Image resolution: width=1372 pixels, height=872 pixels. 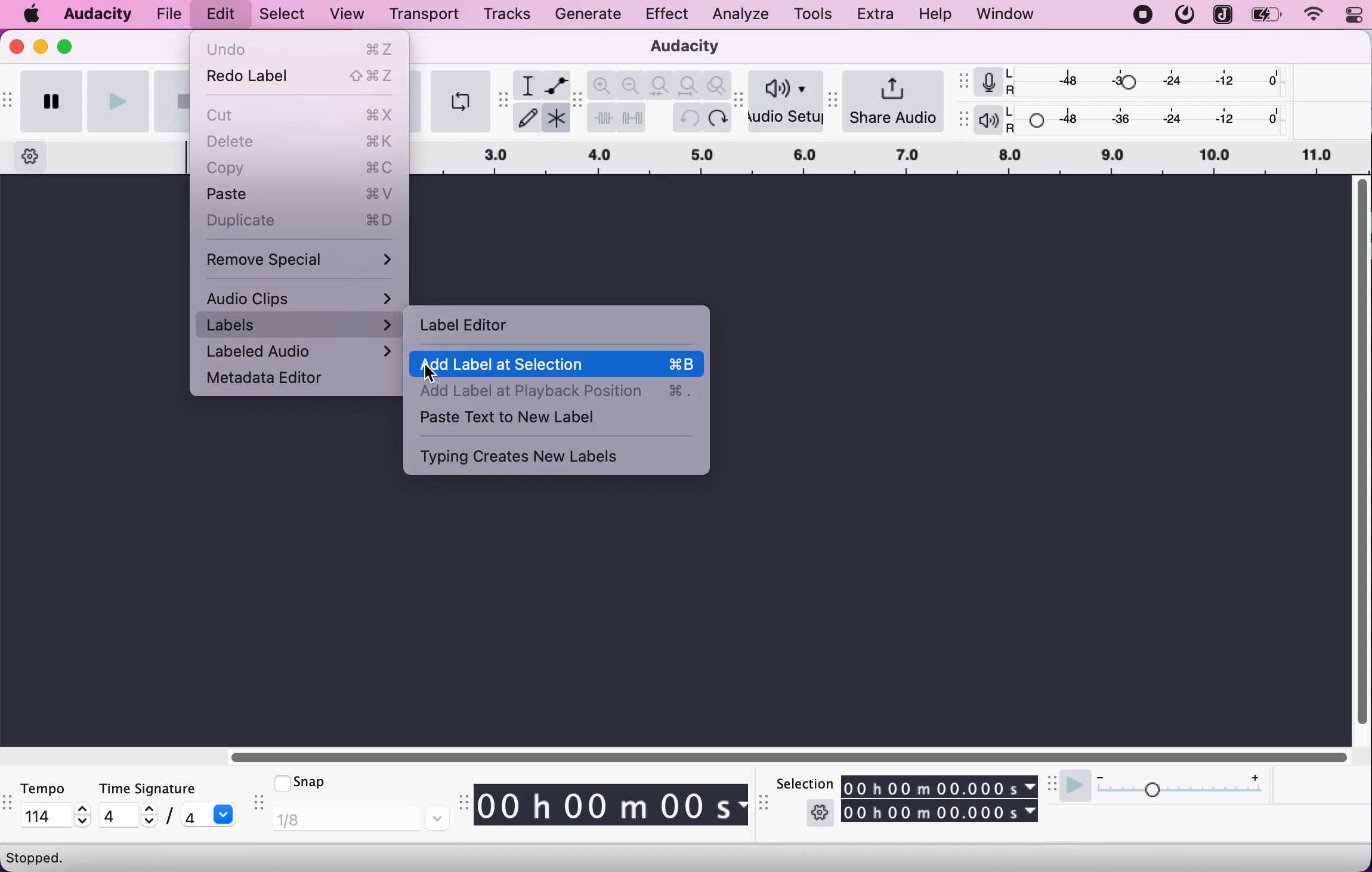 I want to click on vertical slider, so click(x=1361, y=454).